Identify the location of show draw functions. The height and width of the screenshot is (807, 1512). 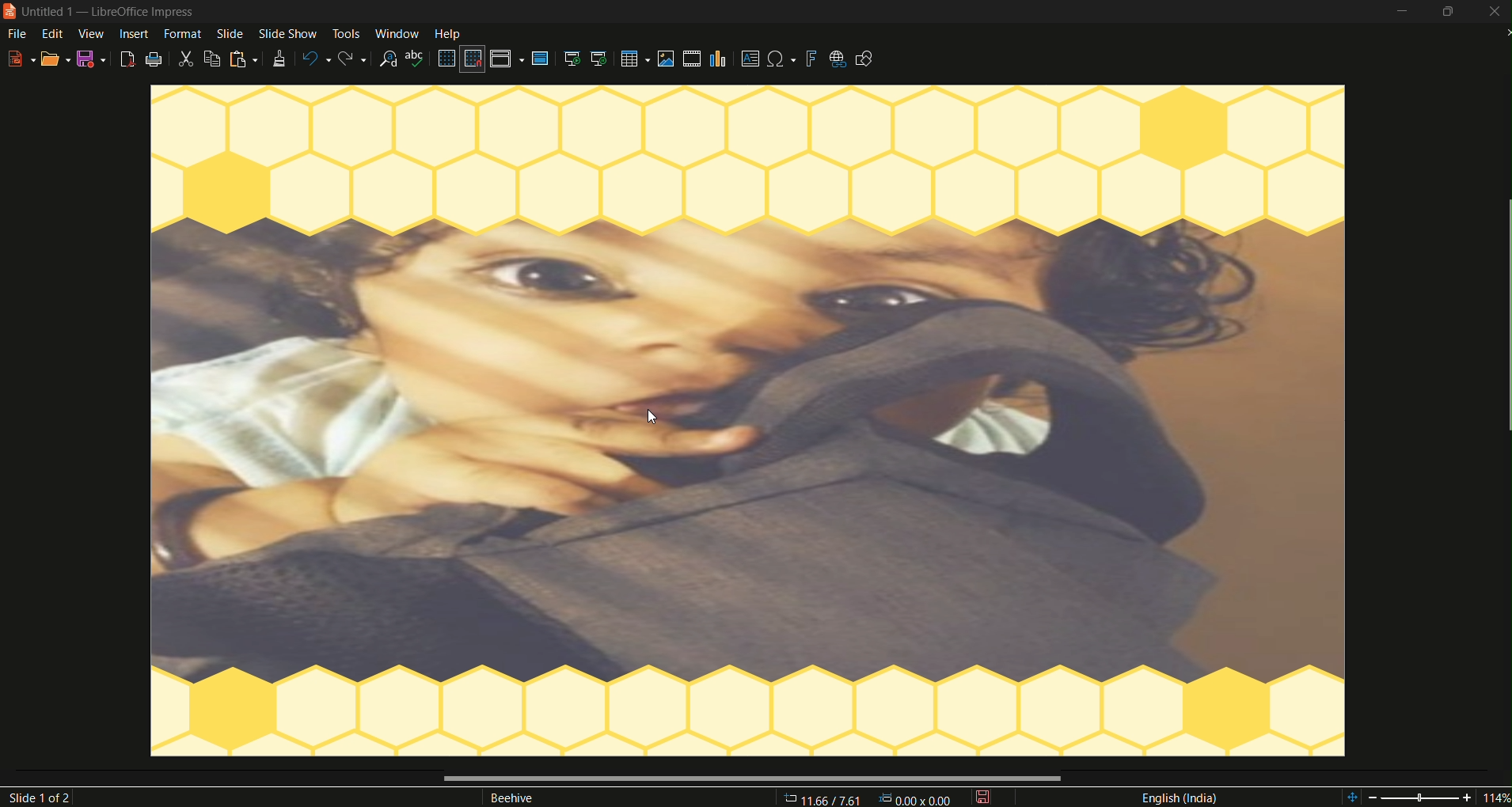
(866, 59).